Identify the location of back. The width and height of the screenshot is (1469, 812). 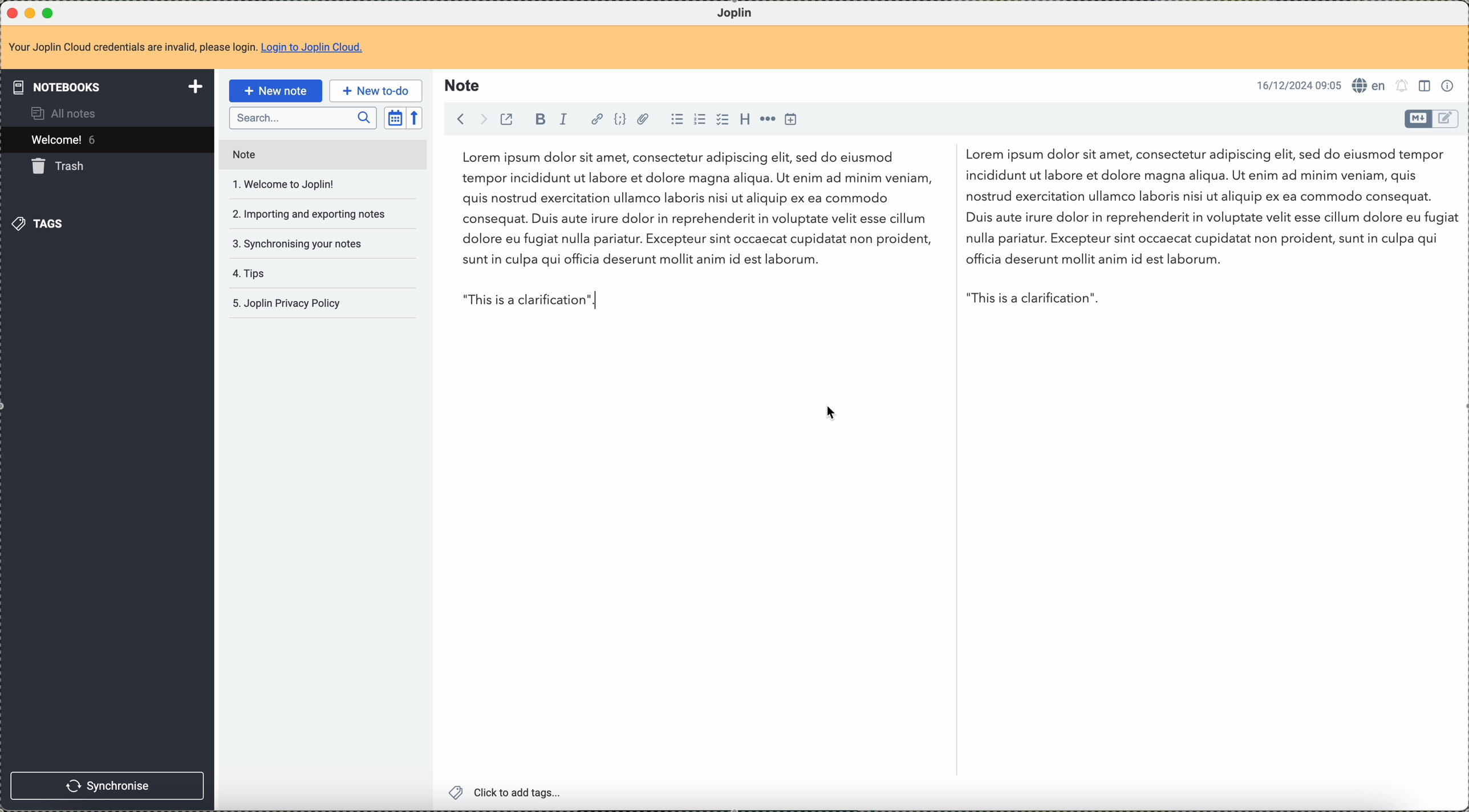
(458, 119).